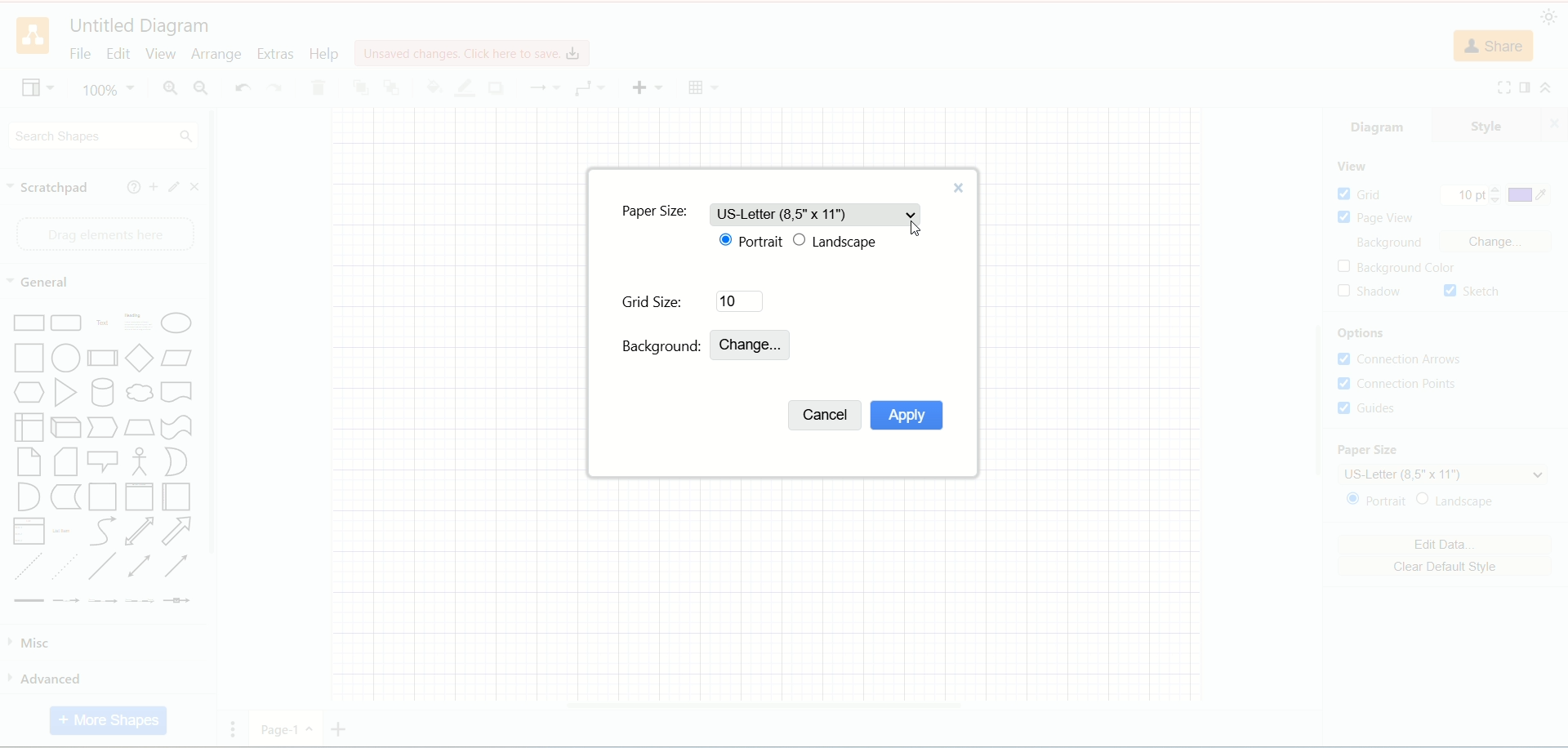 The image size is (1568, 748). What do you see at coordinates (65, 567) in the screenshot?
I see `Dotted Line` at bounding box center [65, 567].